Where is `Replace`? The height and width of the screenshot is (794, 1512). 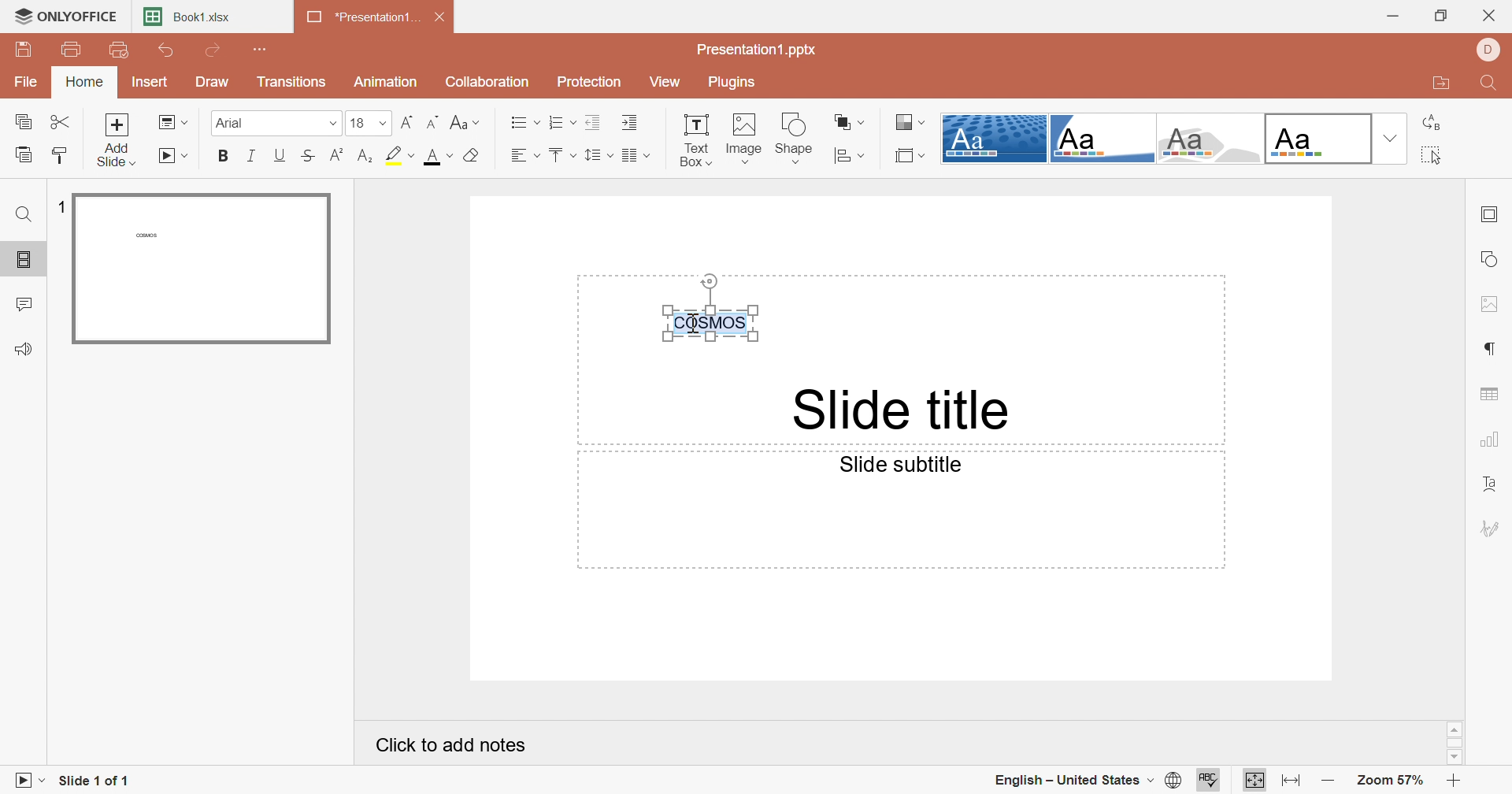 Replace is located at coordinates (1431, 124).